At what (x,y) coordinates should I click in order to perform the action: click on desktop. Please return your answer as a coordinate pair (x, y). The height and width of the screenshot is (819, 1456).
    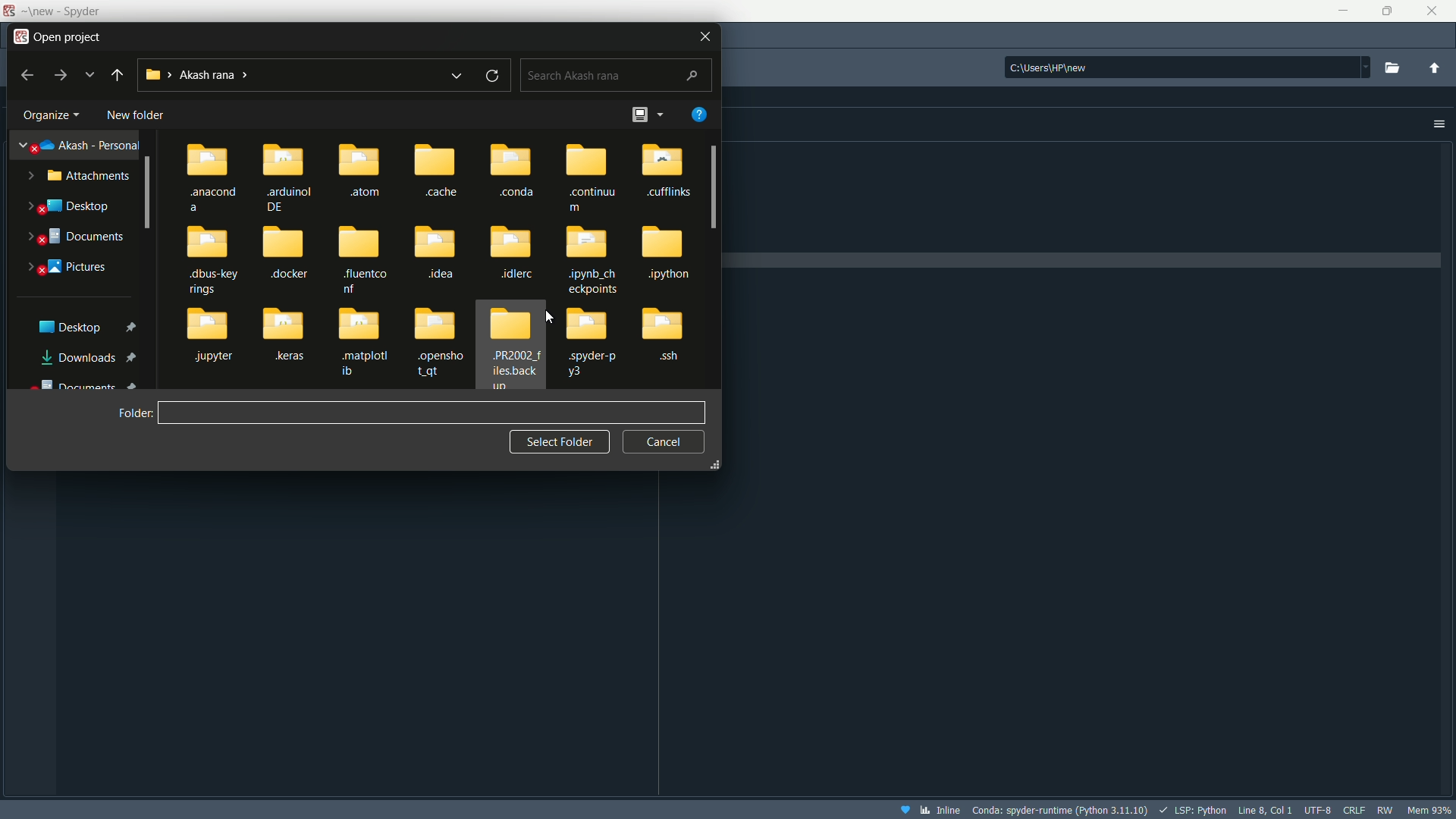
    Looking at the image, I should click on (70, 208).